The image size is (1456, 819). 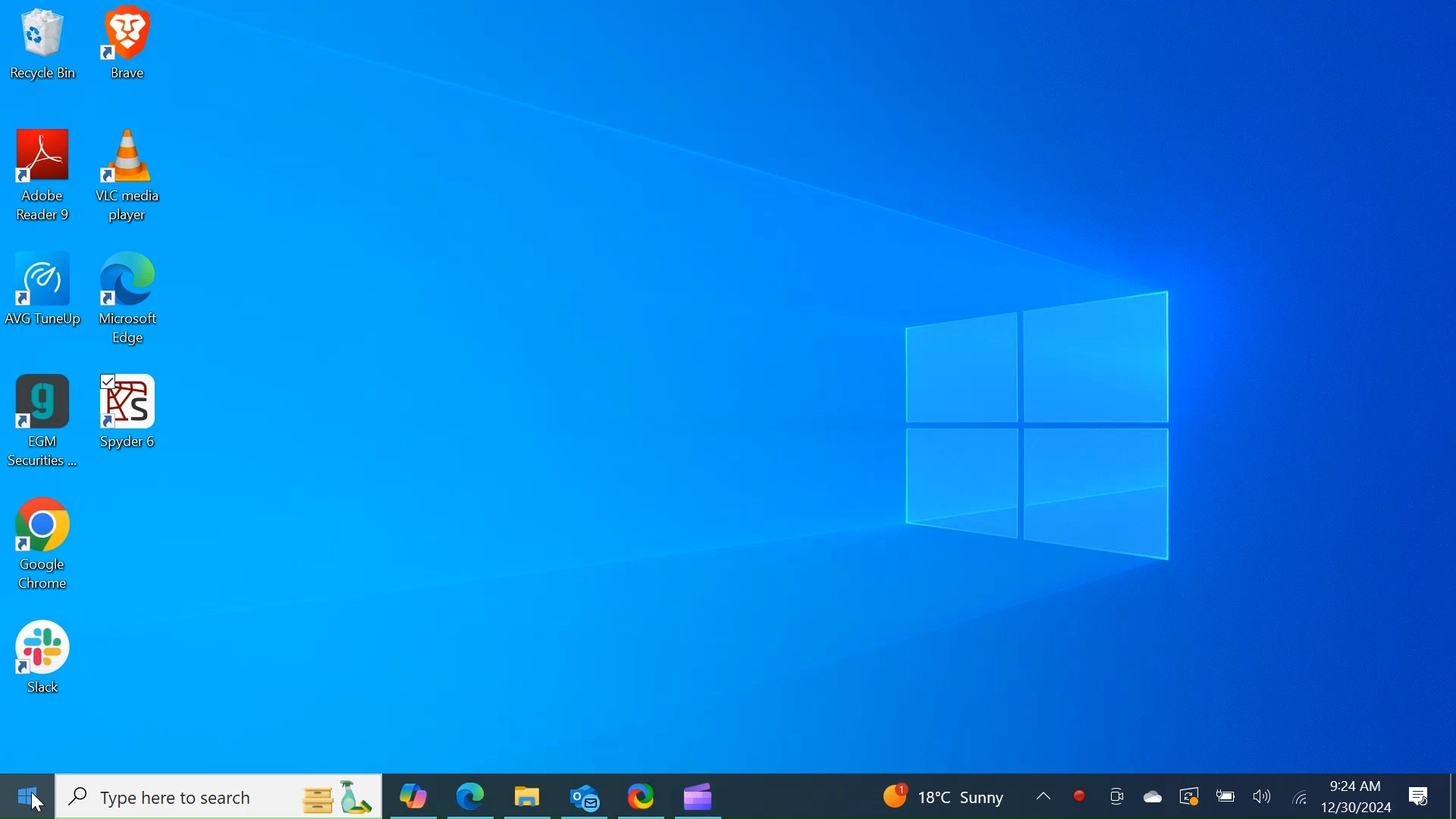 What do you see at coordinates (698, 796) in the screenshot?
I see `Microsoft Clipchamp` at bounding box center [698, 796].